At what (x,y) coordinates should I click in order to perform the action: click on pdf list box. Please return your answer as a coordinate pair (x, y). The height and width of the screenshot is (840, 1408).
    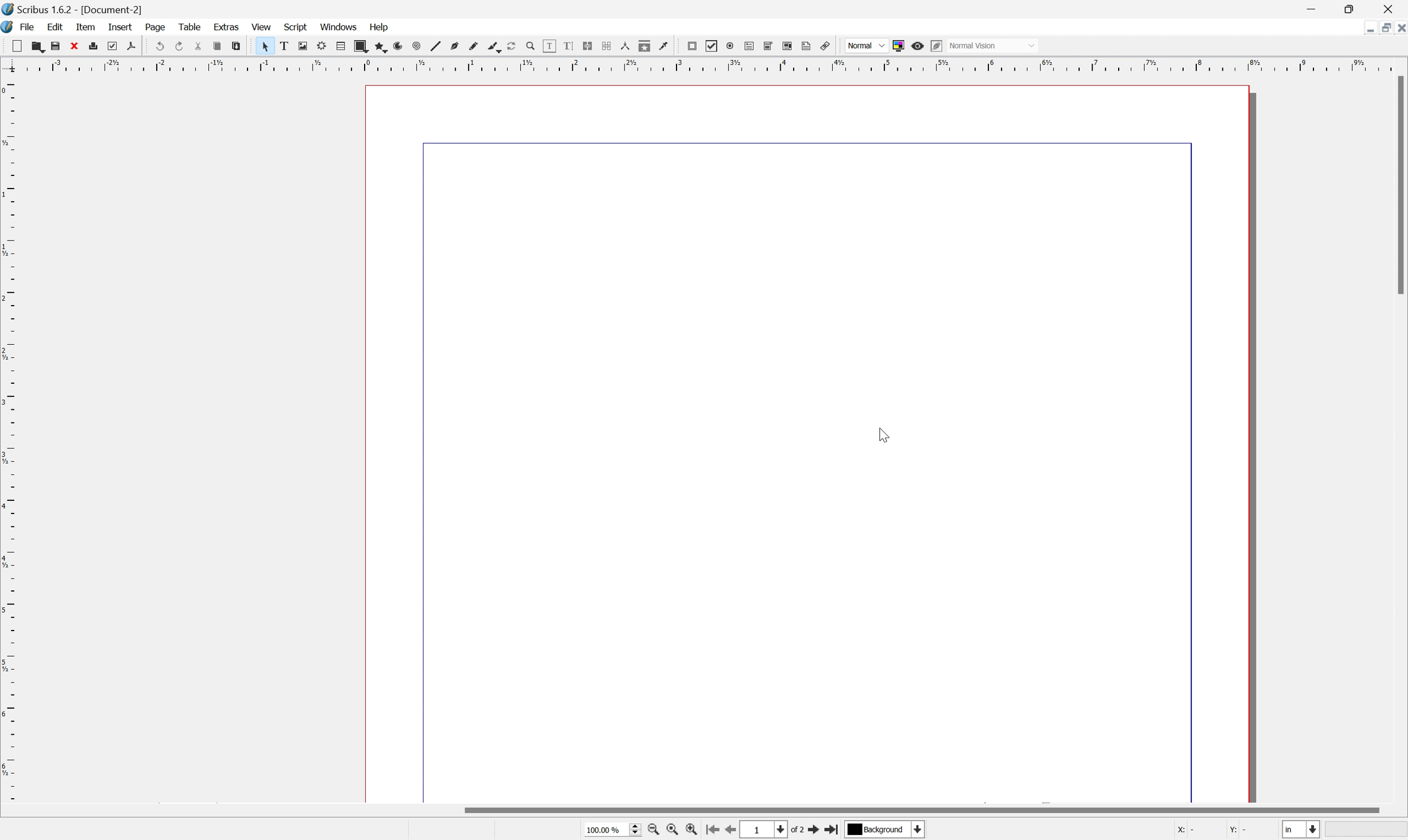
    Looking at the image, I should click on (788, 46).